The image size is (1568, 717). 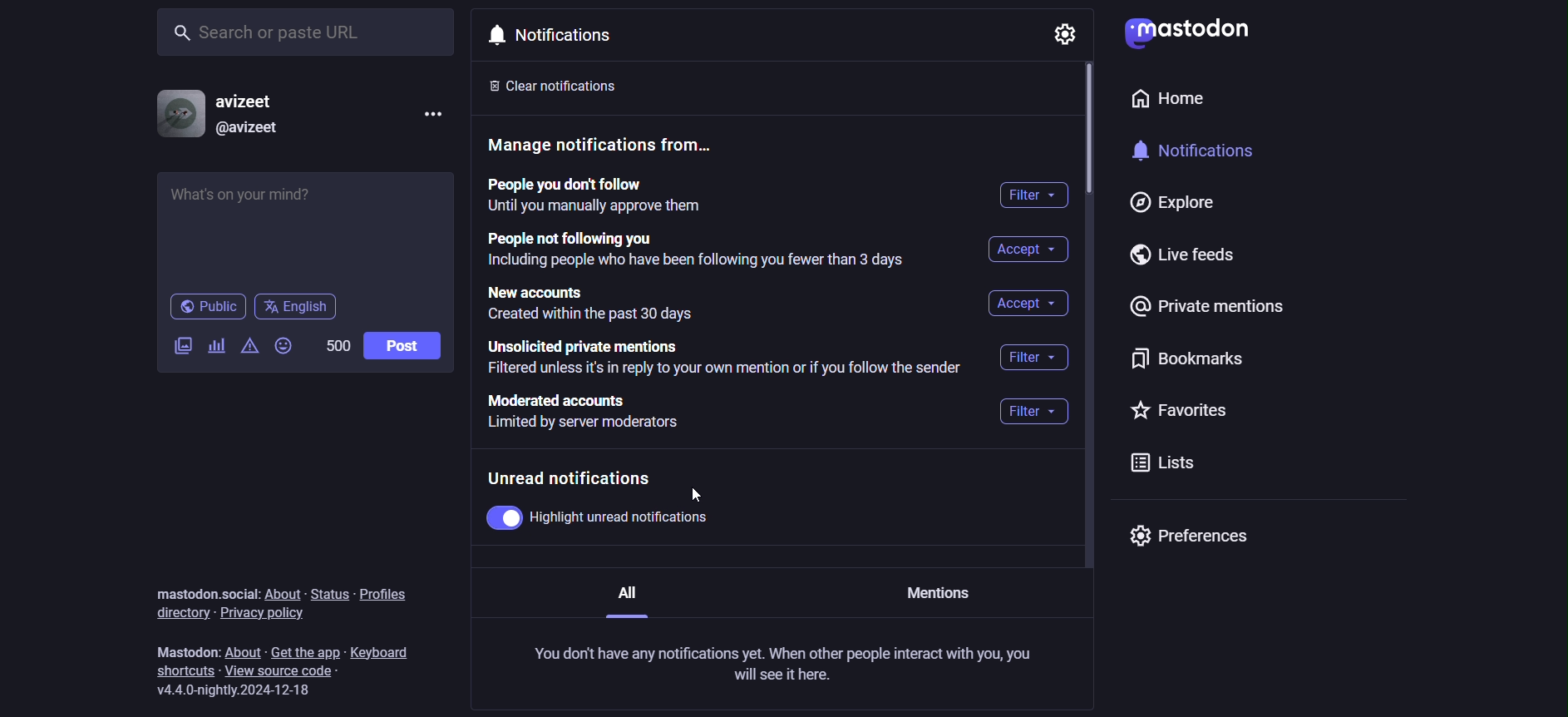 I want to click on notifications, so click(x=1196, y=154).